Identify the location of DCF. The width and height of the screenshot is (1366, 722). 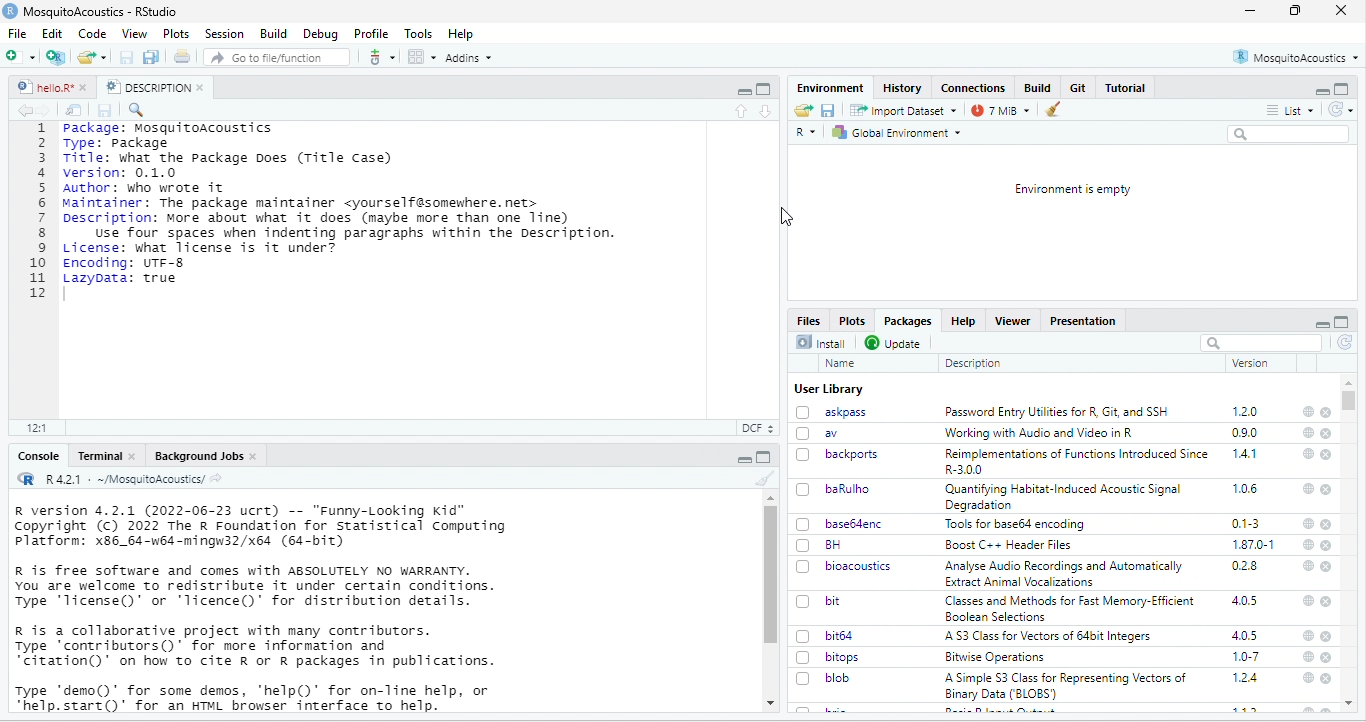
(756, 428).